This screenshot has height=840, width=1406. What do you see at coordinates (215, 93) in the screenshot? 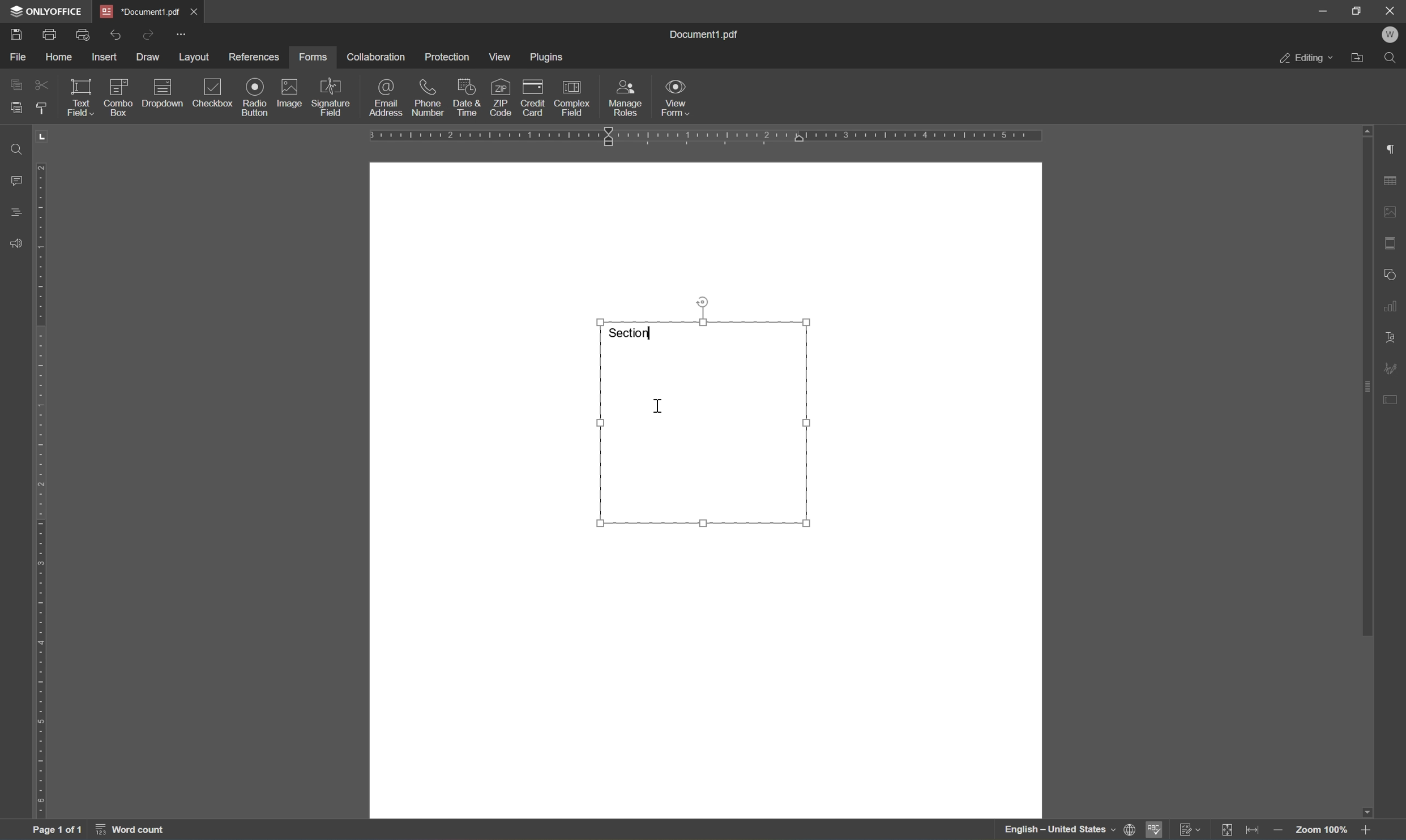
I see `checkbox` at bounding box center [215, 93].